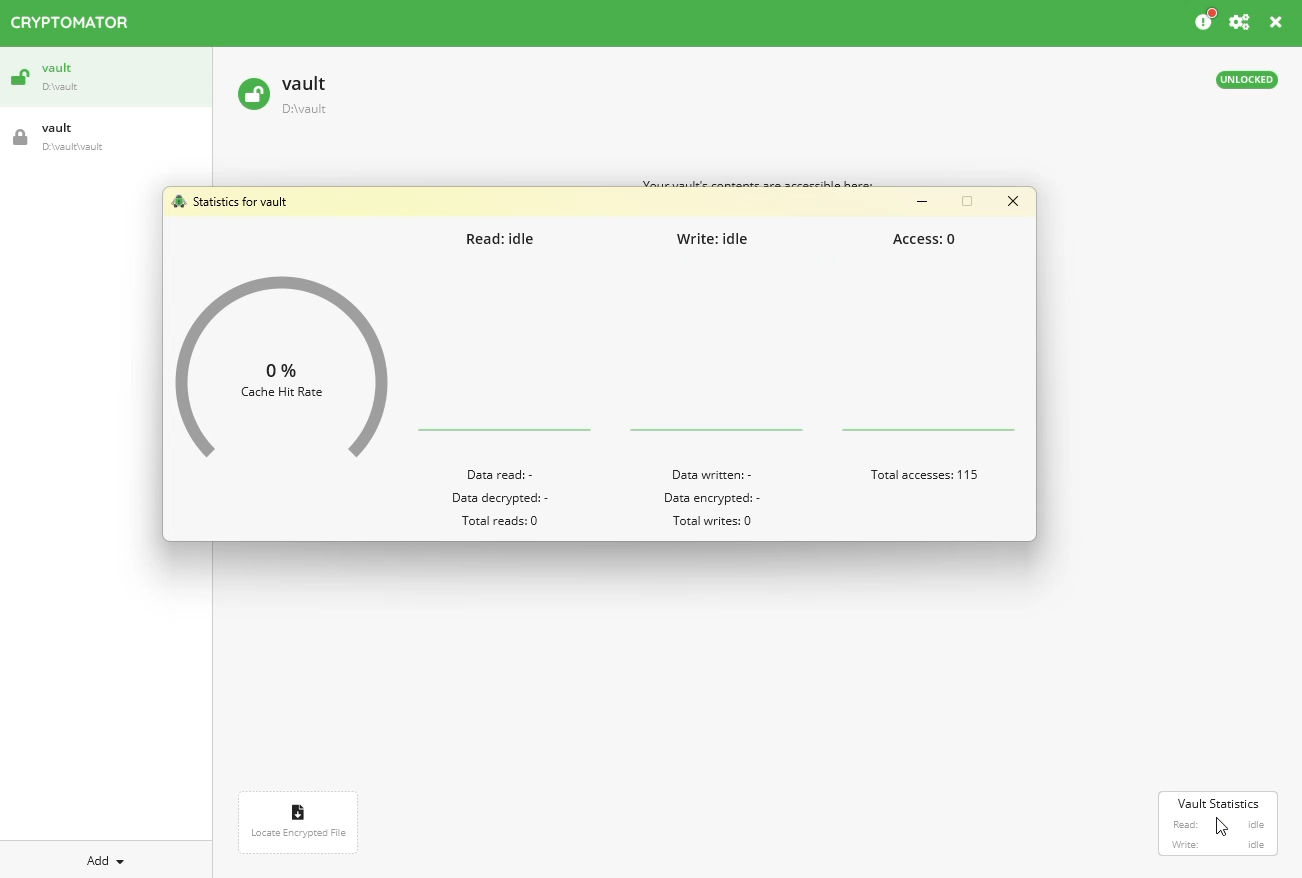 The width and height of the screenshot is (1302, 878). Describe the element at coordinates (1258, 824) in the screenshot. I see `idle` at that location.